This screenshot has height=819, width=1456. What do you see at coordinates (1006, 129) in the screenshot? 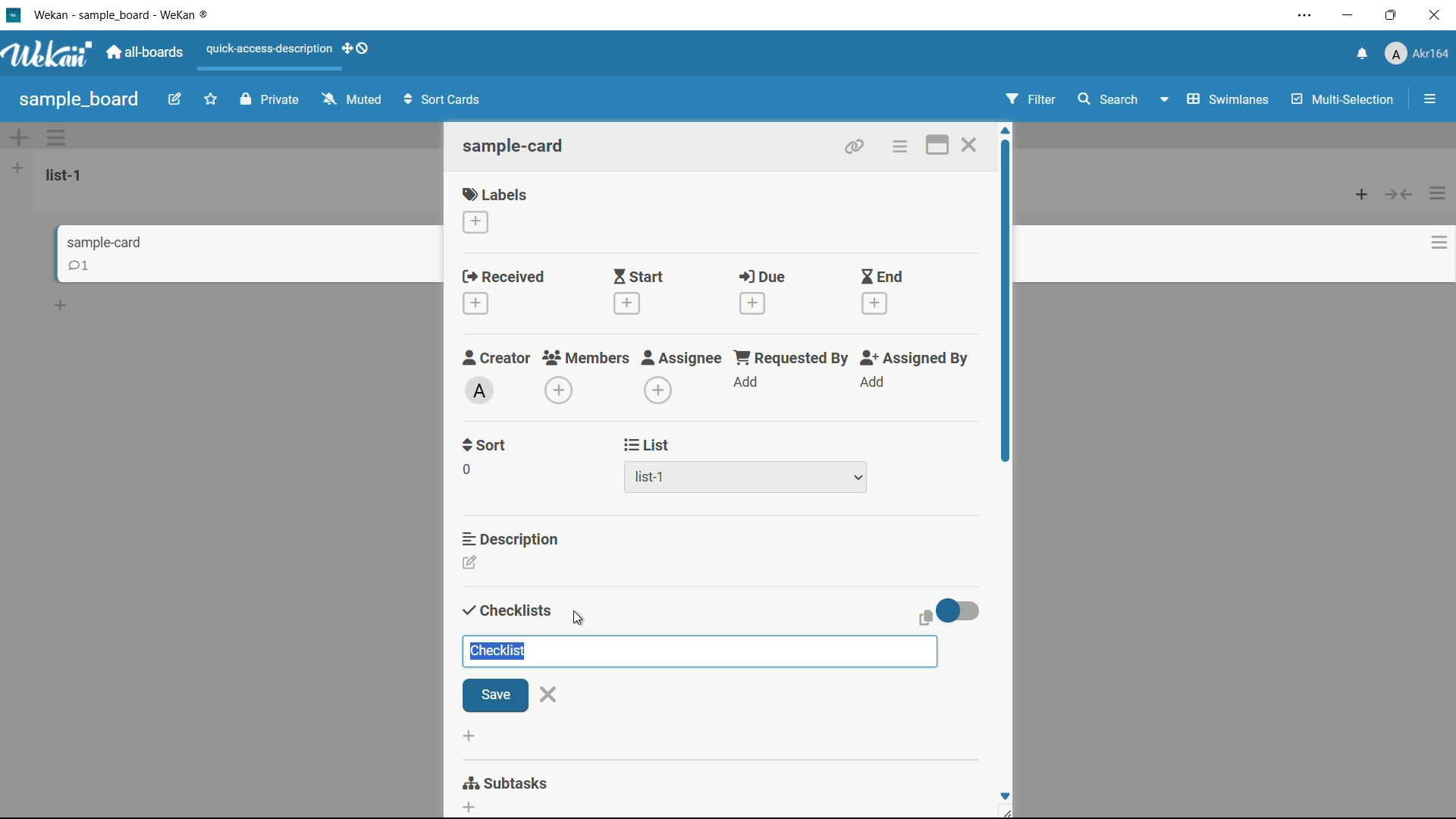
I see `scroll up` at bounding box center [1006, 129].